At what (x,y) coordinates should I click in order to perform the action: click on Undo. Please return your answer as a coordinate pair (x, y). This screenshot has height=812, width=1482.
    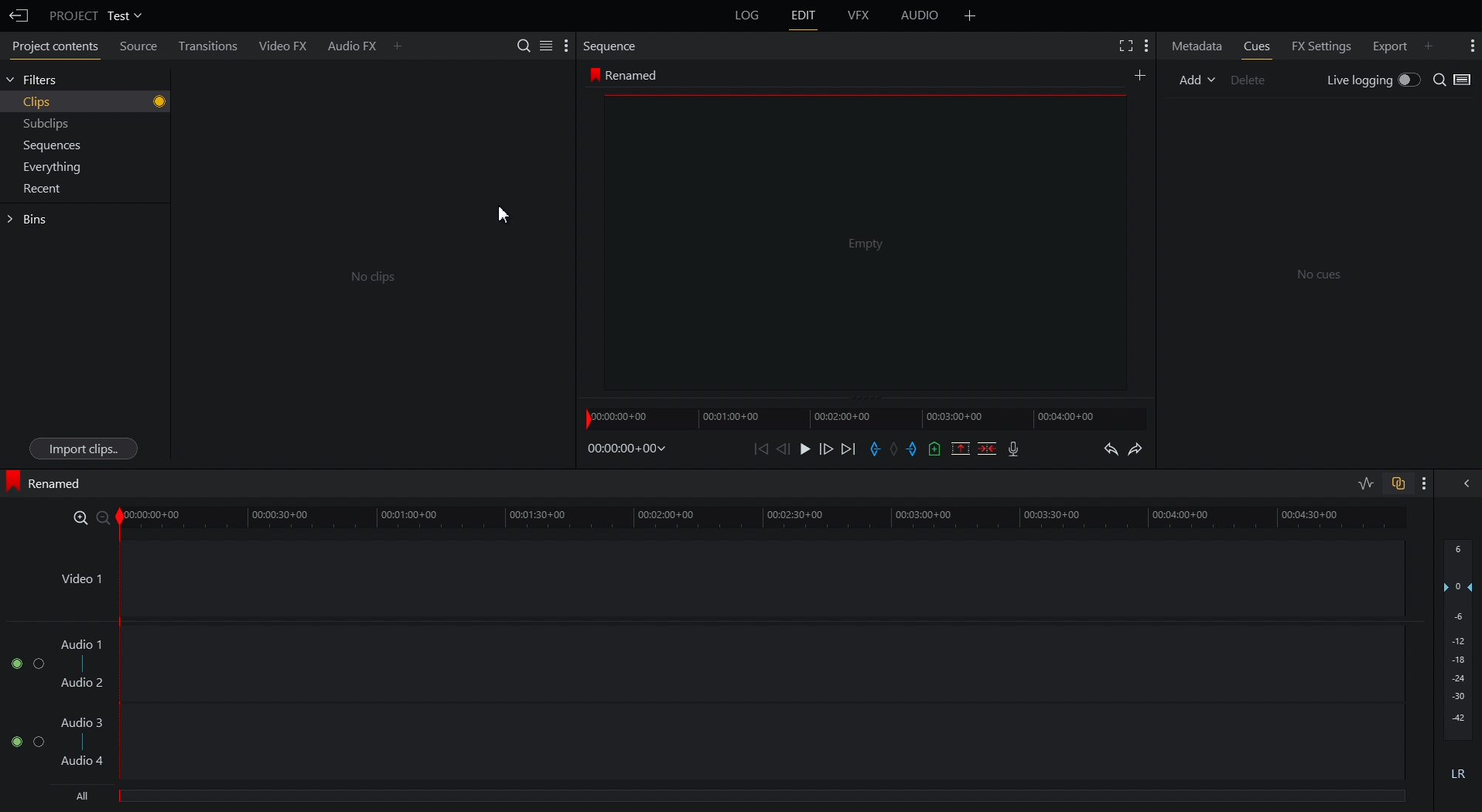
    Looking at the image, I should click on (1109, 447).